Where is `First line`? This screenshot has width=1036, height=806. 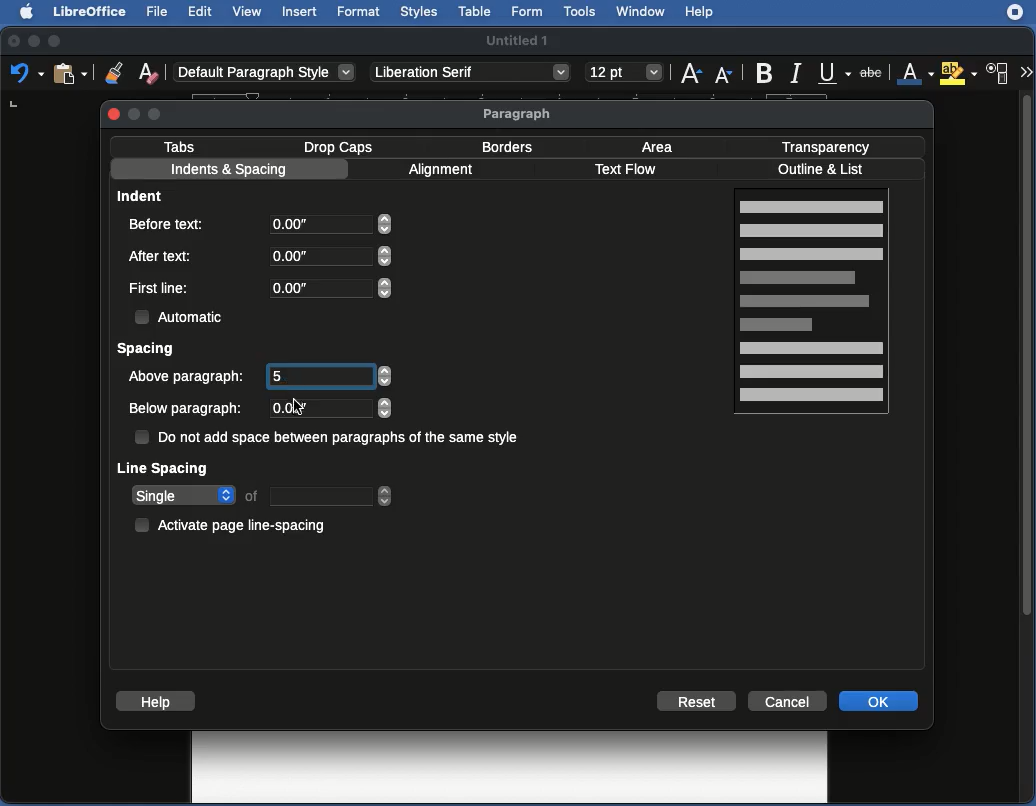
First line is located at coordinates (161, 289).